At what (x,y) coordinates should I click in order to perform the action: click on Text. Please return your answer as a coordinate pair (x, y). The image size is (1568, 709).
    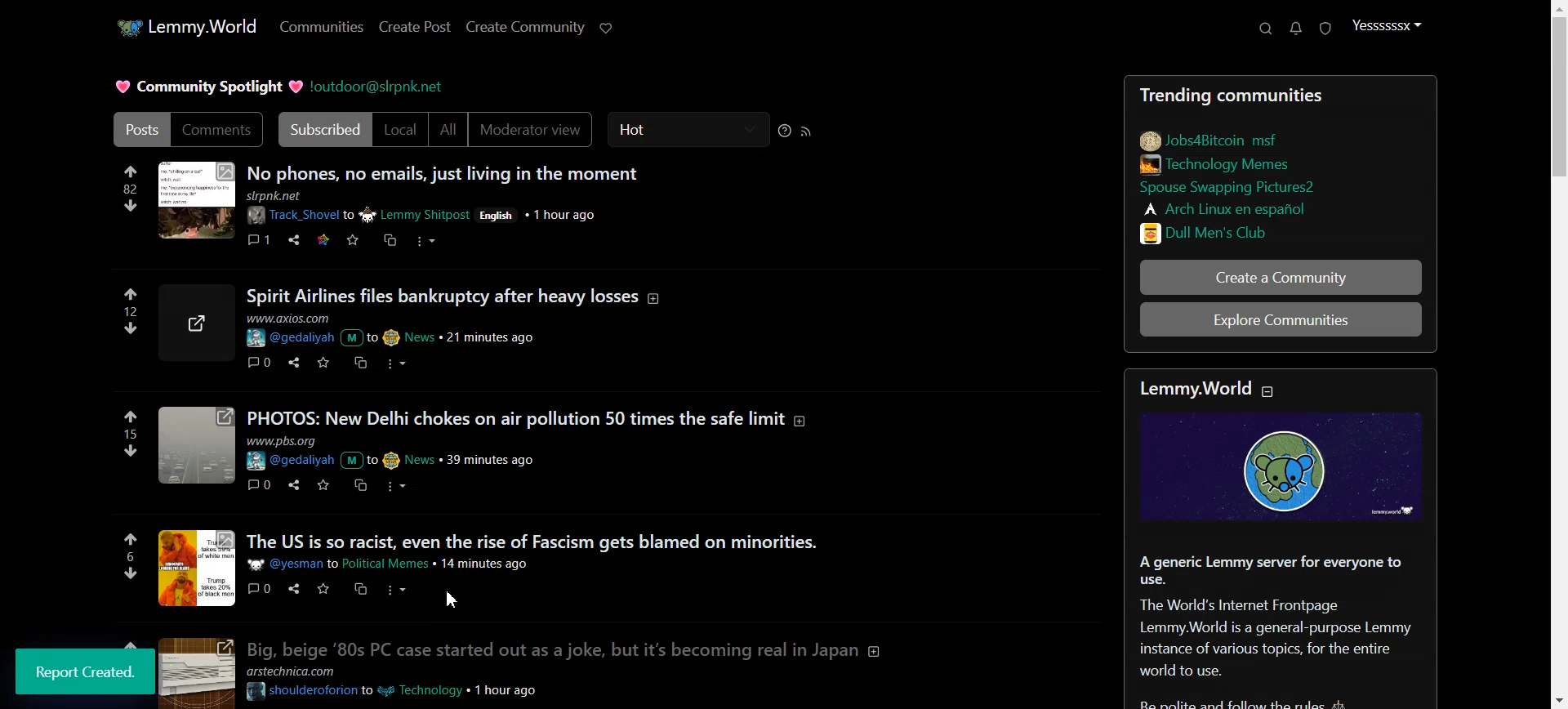
    Looking at the image, I should click on (87, 671).